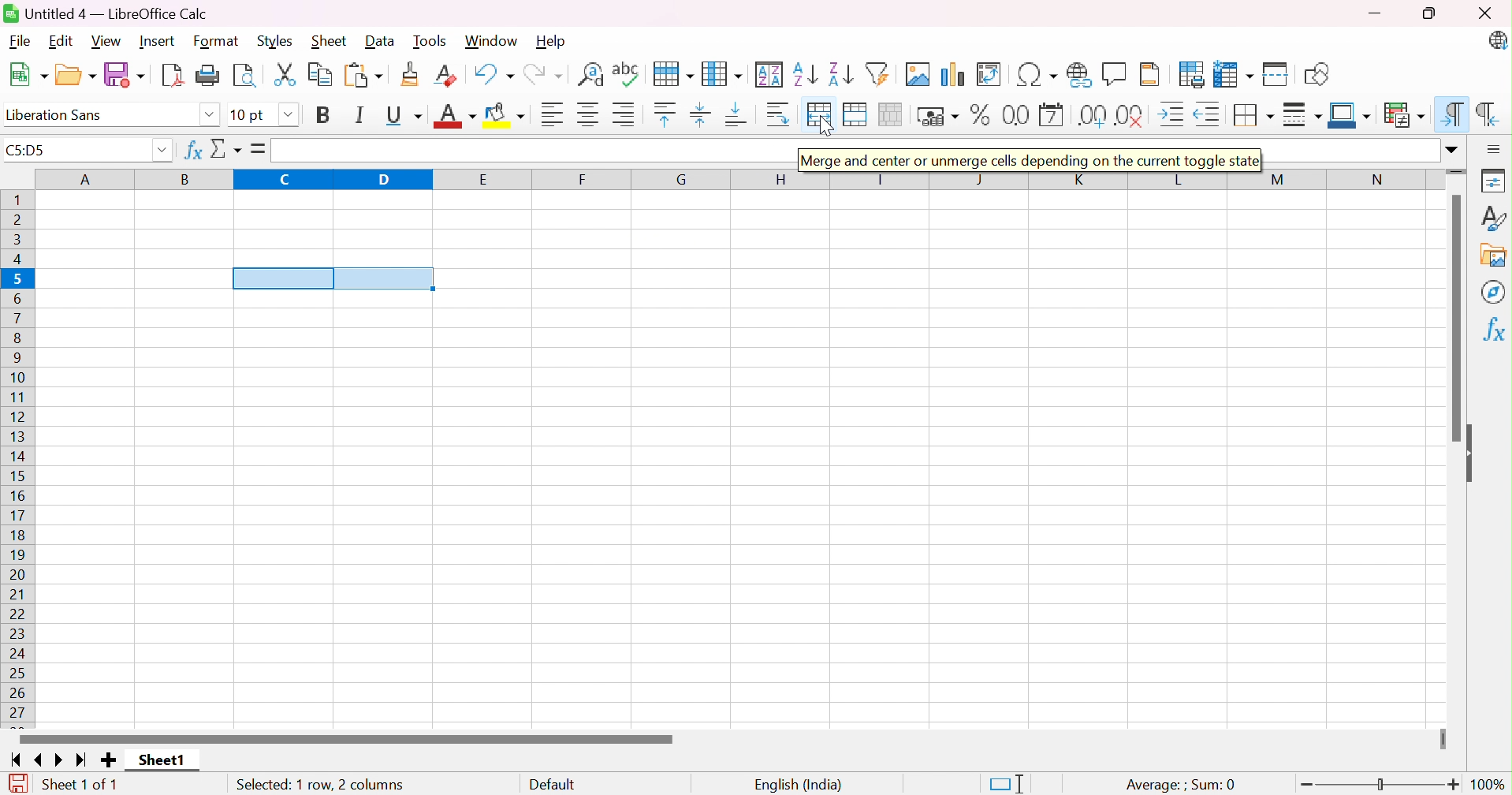 Image resolution: width=1512 pixels, height=795 pixels. What do you see at coordinates (806, 72) in the screenshot?
I see `Sort Ascending` at bounding box center [806, 72].